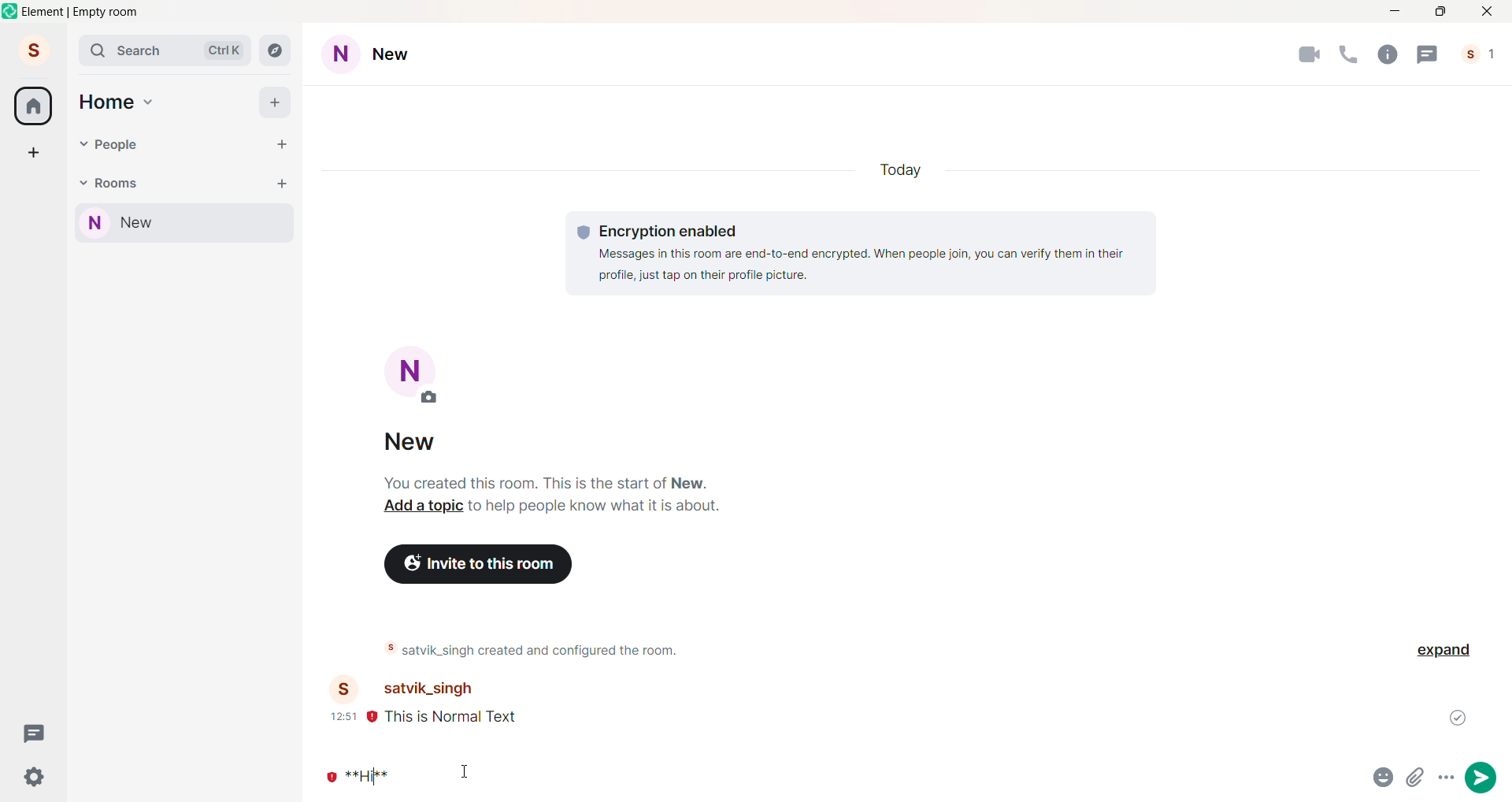  Describe the element at coordinates (83, 184) in the screenshot. I see `Room Drop down` at that location.